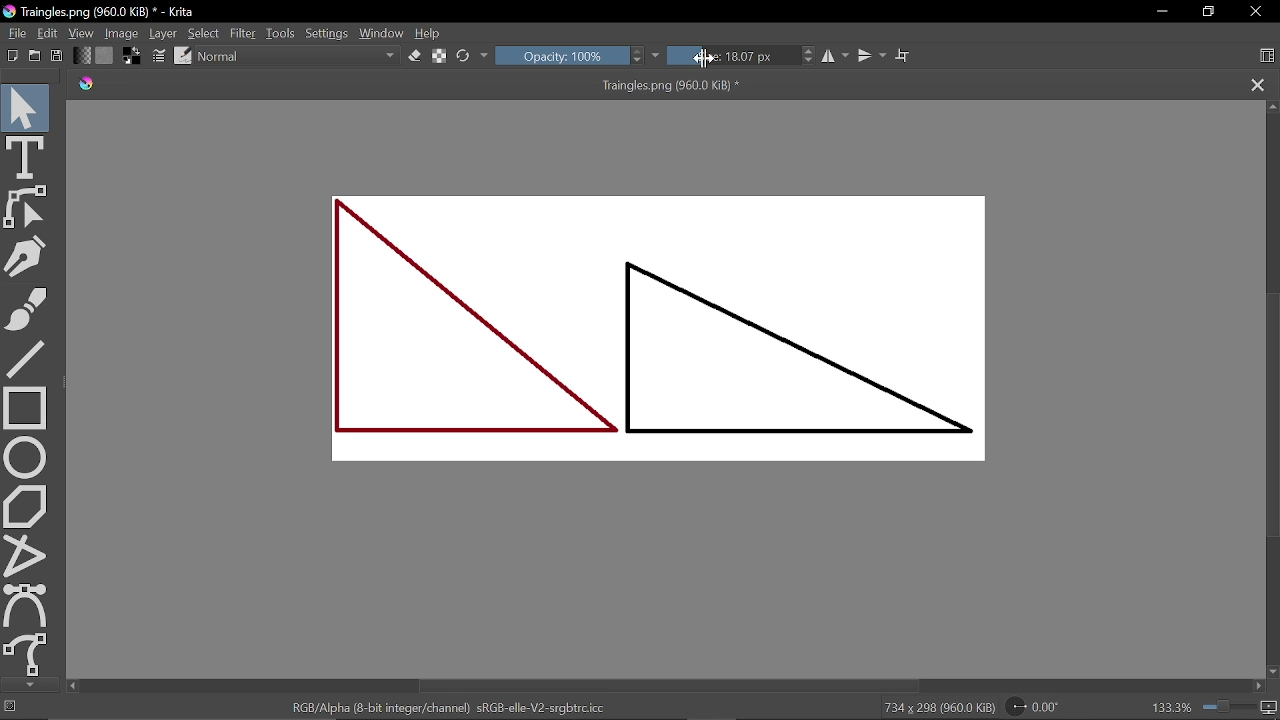 This screenshot has width=1280, height=720. Describe the element at coordinates (157, 57) in the screenshot. I see `Edit brush settings` at that location.